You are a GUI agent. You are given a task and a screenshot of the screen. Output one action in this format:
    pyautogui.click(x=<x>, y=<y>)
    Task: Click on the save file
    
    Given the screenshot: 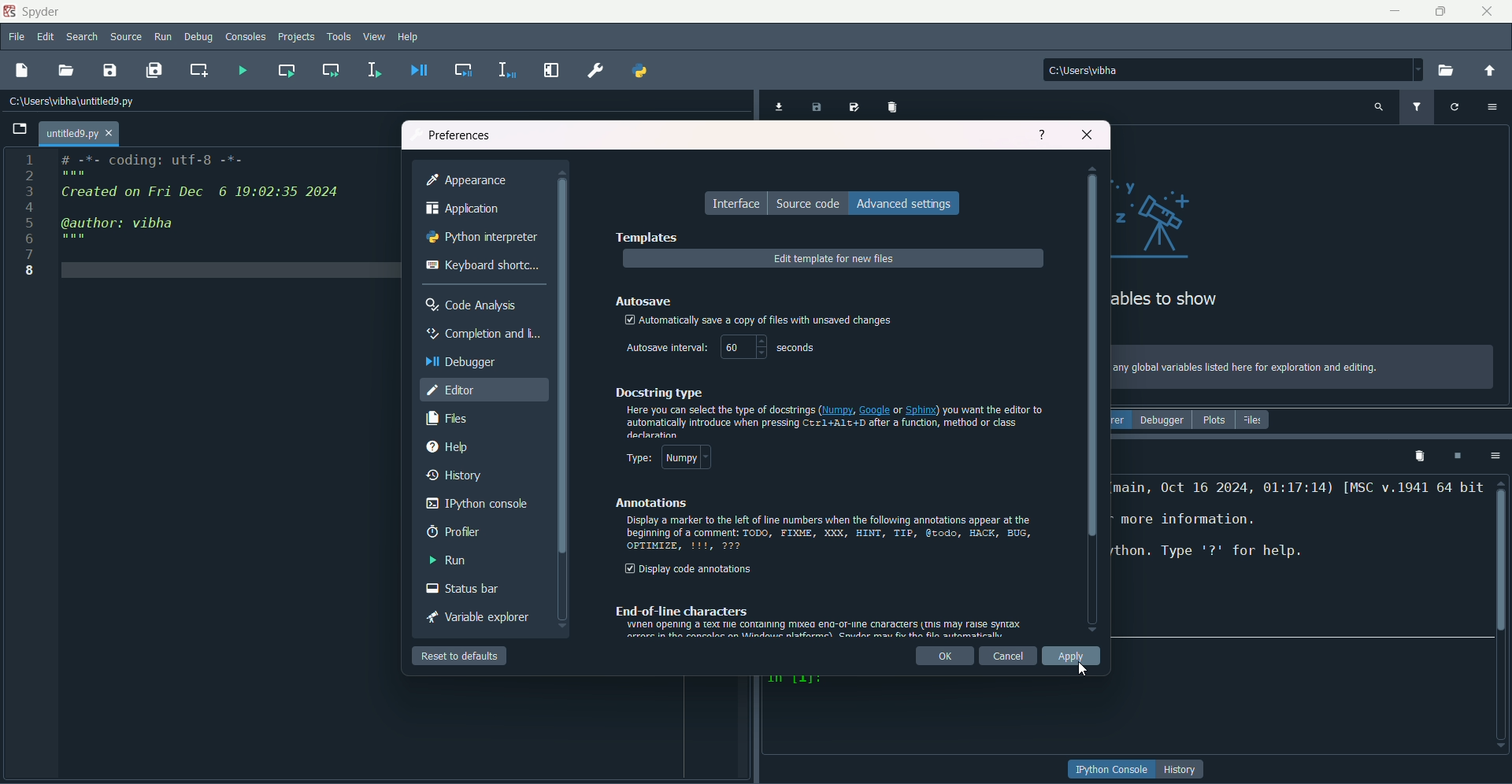 What is the action you would take?
    pyautogui.click(x=110, y=69)
    